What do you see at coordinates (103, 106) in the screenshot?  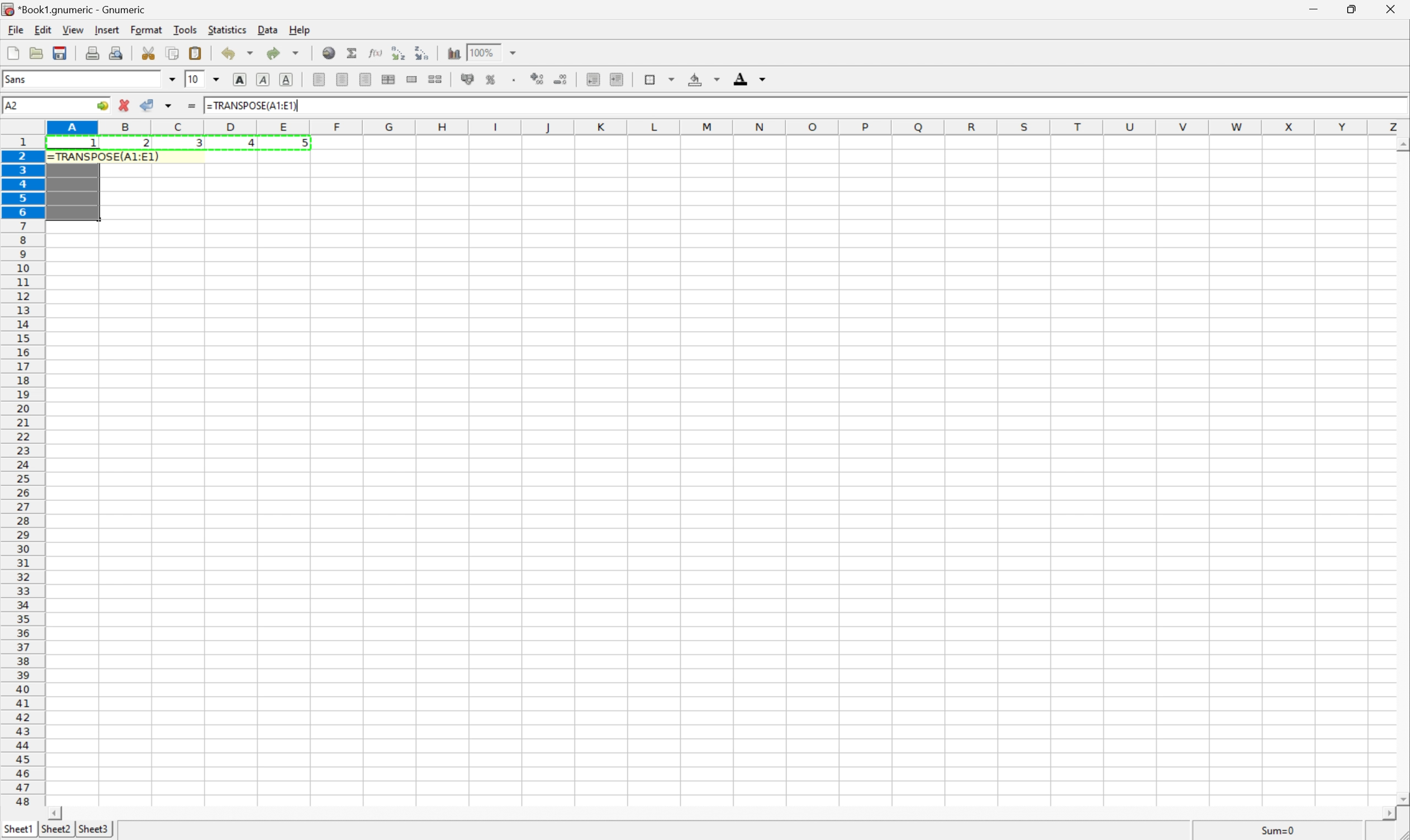 I see `go to` at bounding box center [103, 106].